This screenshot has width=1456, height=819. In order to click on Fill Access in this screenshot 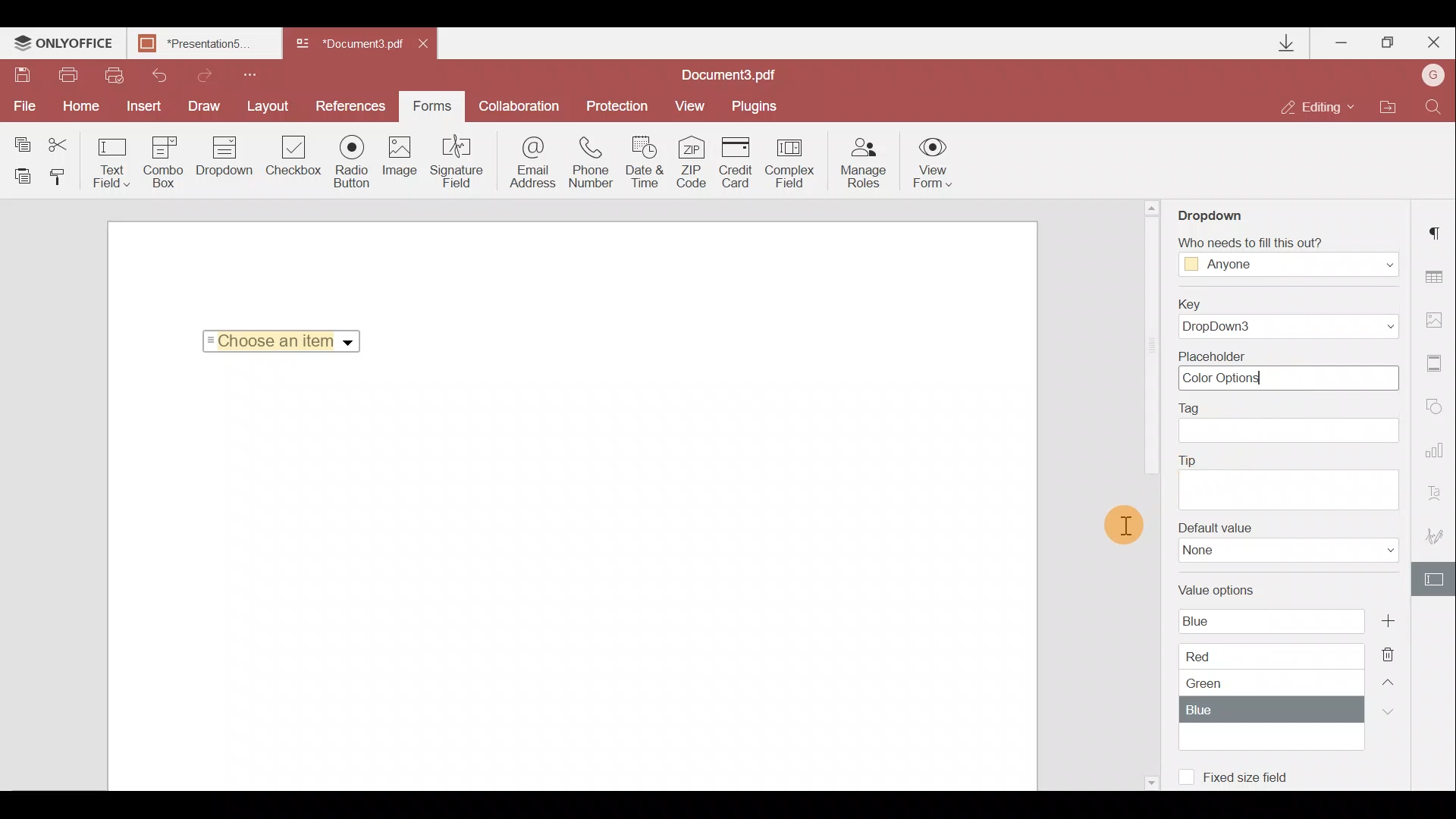, I will do `click(1285, 257)`.